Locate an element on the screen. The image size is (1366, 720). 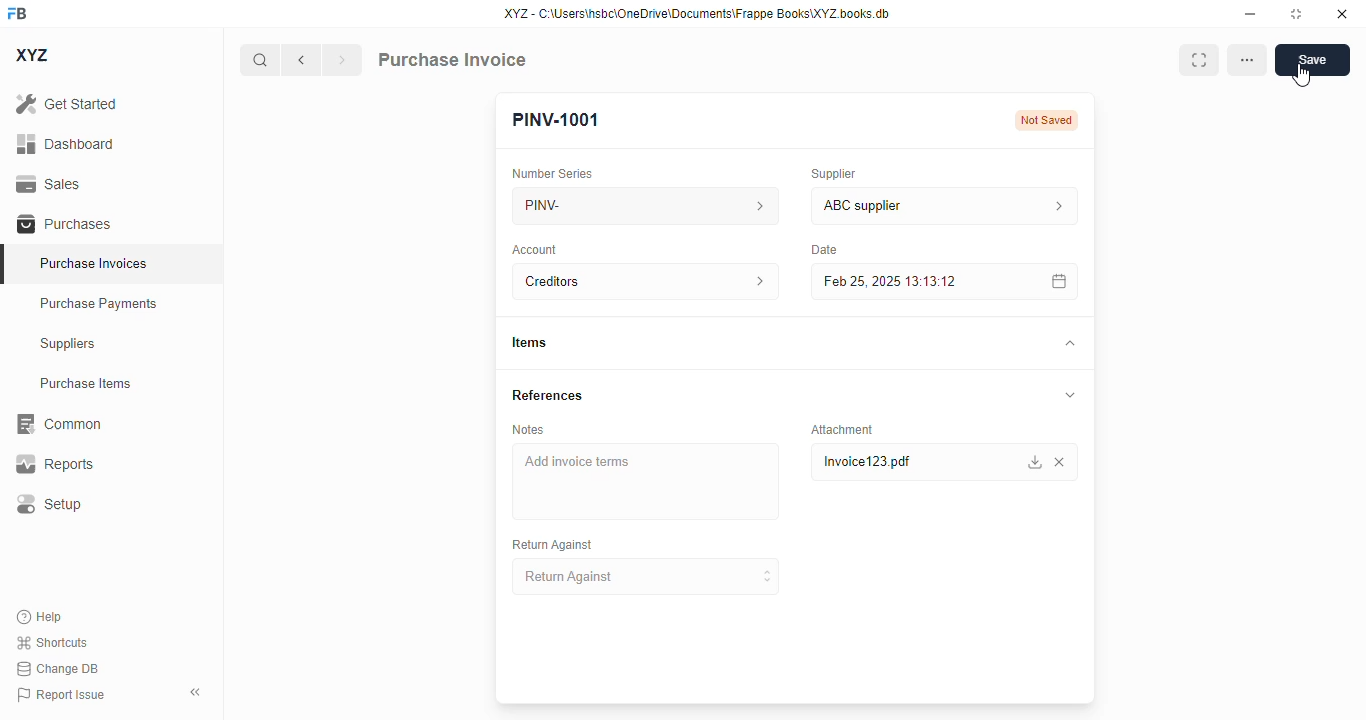
feb 25, 2025 13:13:12 is located at coordinates (905, 281).